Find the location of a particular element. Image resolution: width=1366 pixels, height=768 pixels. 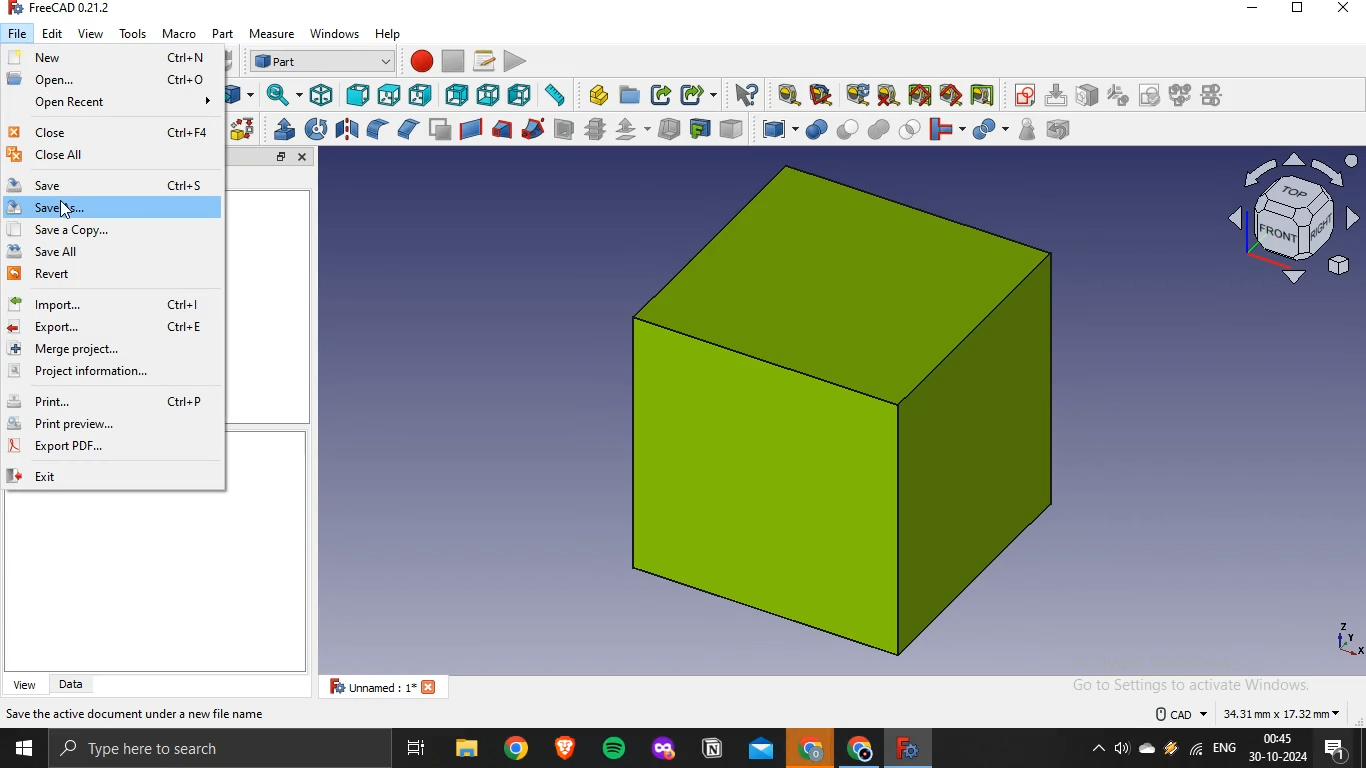

isometric view is located at coordinates (322, 94).